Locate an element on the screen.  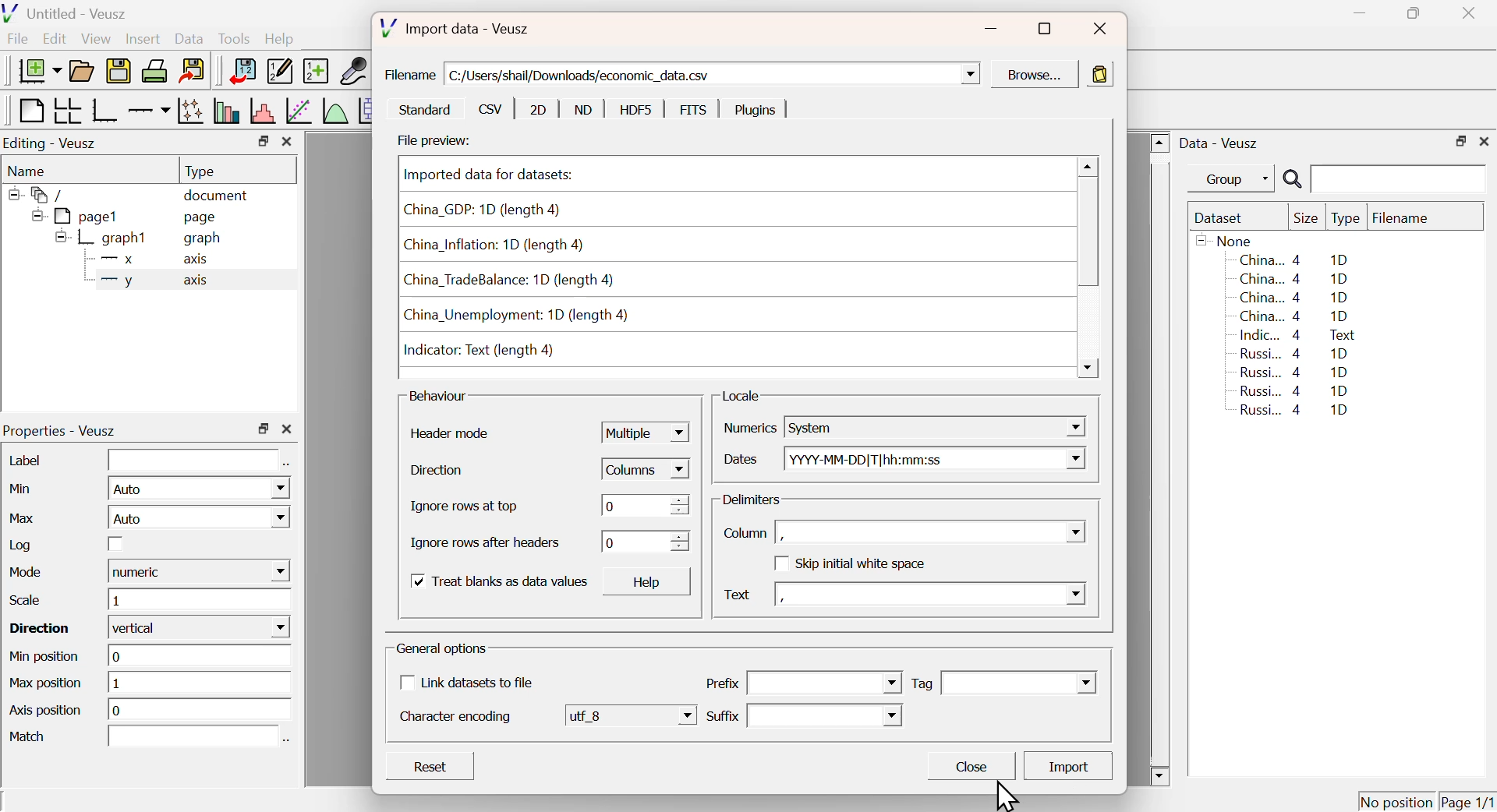
Blank Page is located at coordinates (30, 111).